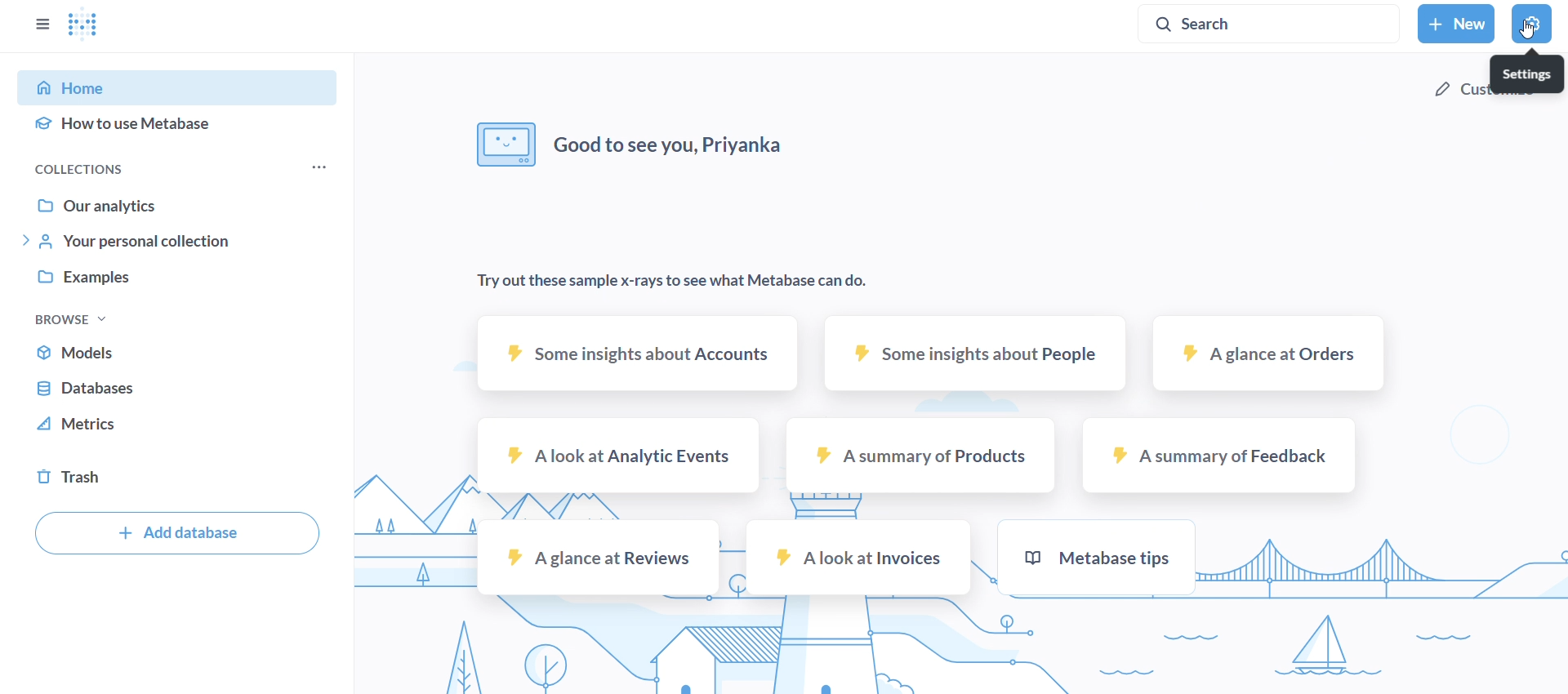  What do you see at coordinates (1528, 73) in the screenshot?
I see `settings` at bounding box center [1528, 73].